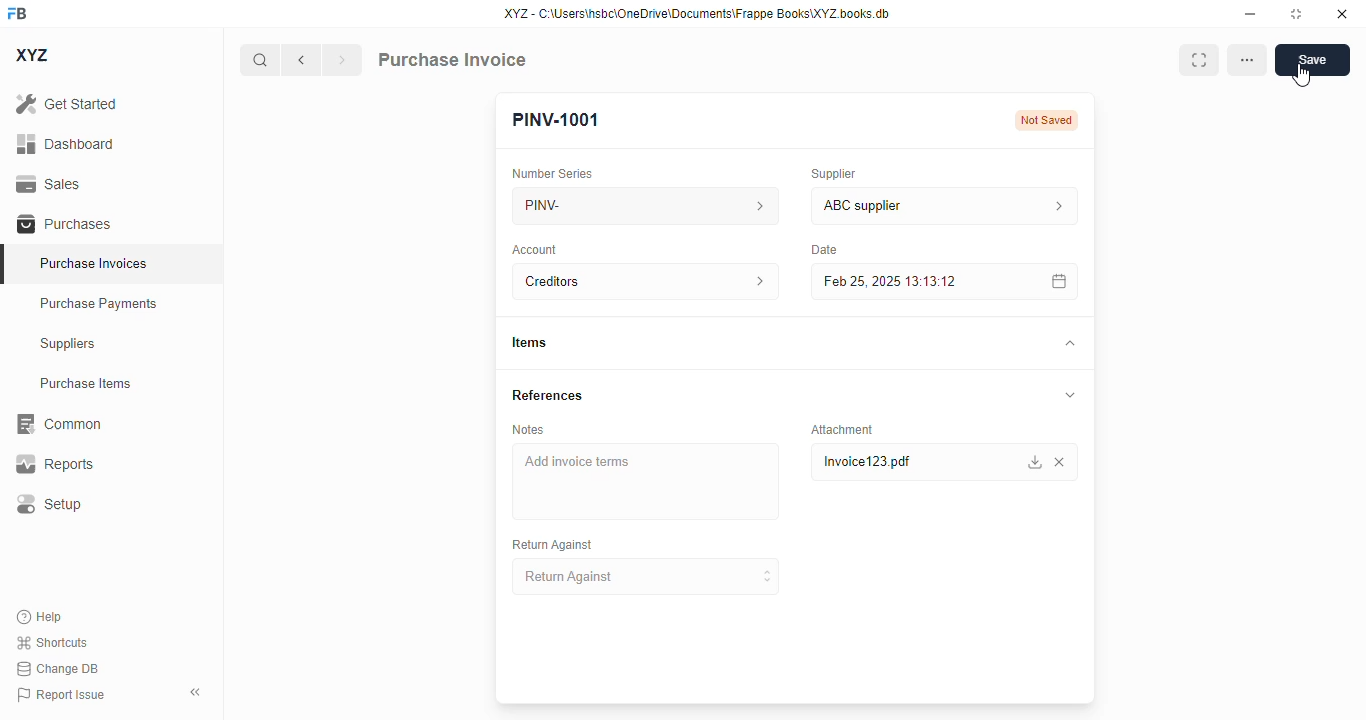  What do you see at coordinates (647, 577) in the screenshot?
I see `return against` at bounding box center [647, 577].